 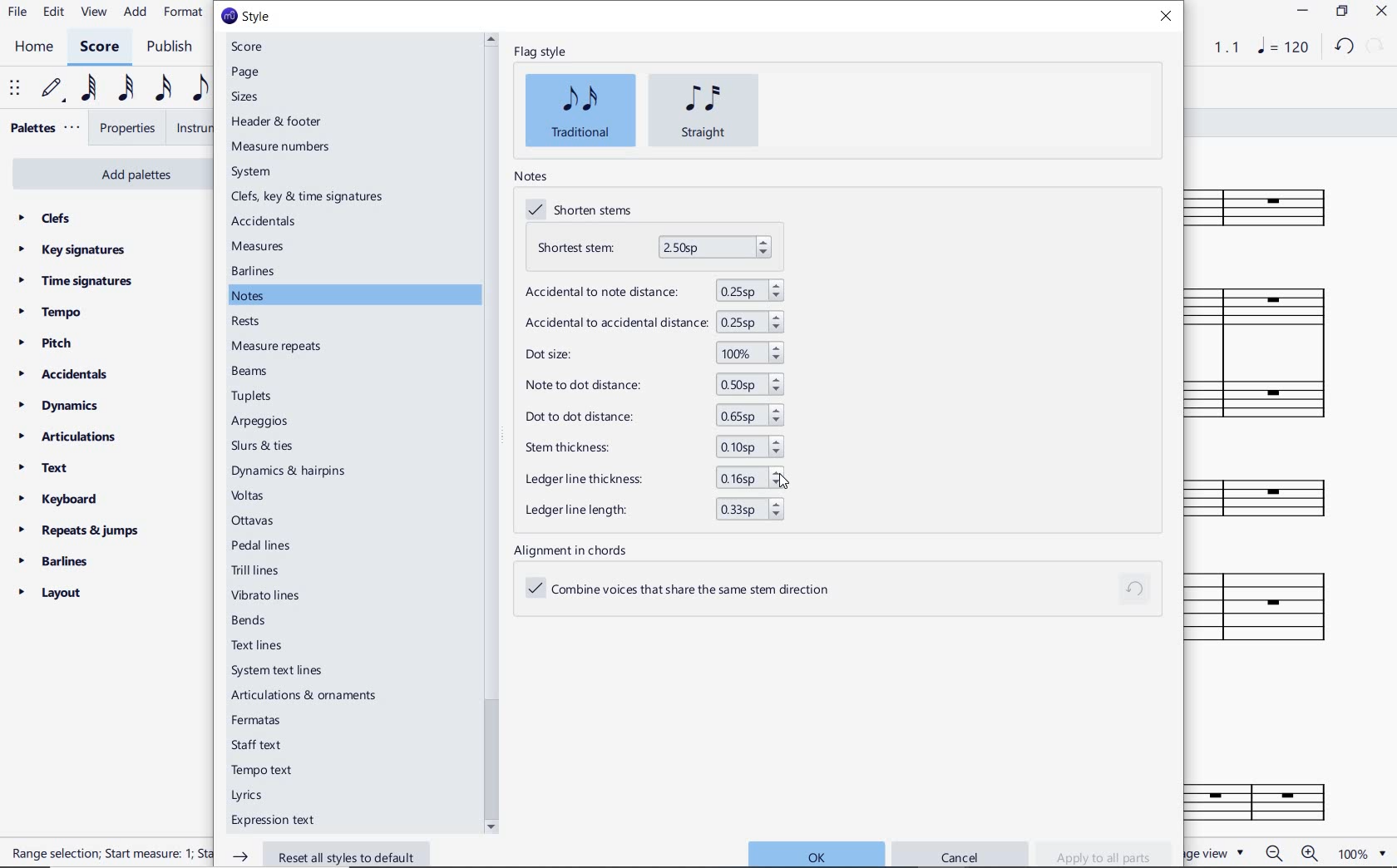 I want to click on Instrument: Bass Harmonica, so click(x=1272, y=492).